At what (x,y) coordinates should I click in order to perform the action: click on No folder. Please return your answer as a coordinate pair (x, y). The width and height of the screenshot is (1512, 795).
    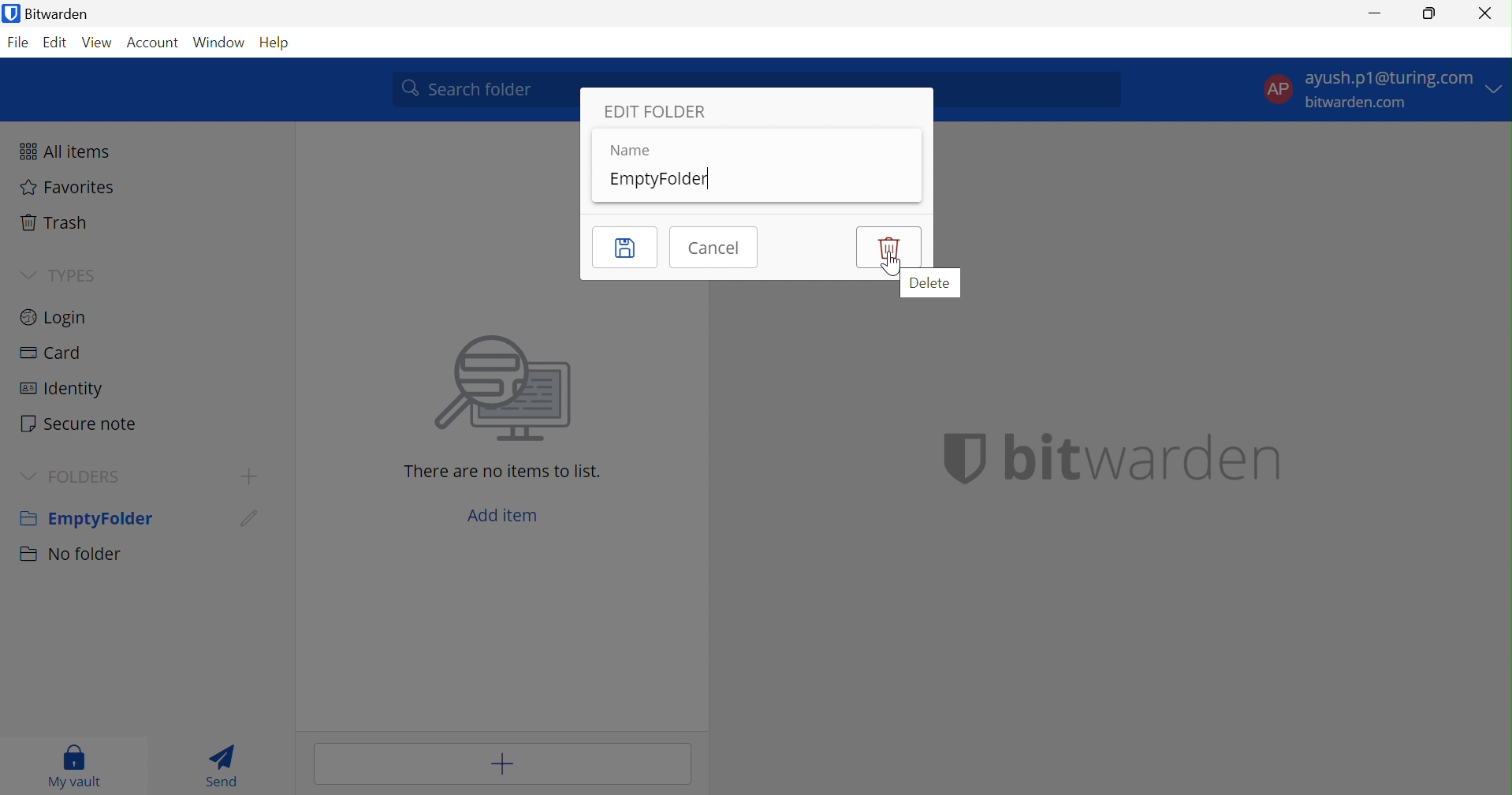
    Looking at the image, I should click on (73, 554).